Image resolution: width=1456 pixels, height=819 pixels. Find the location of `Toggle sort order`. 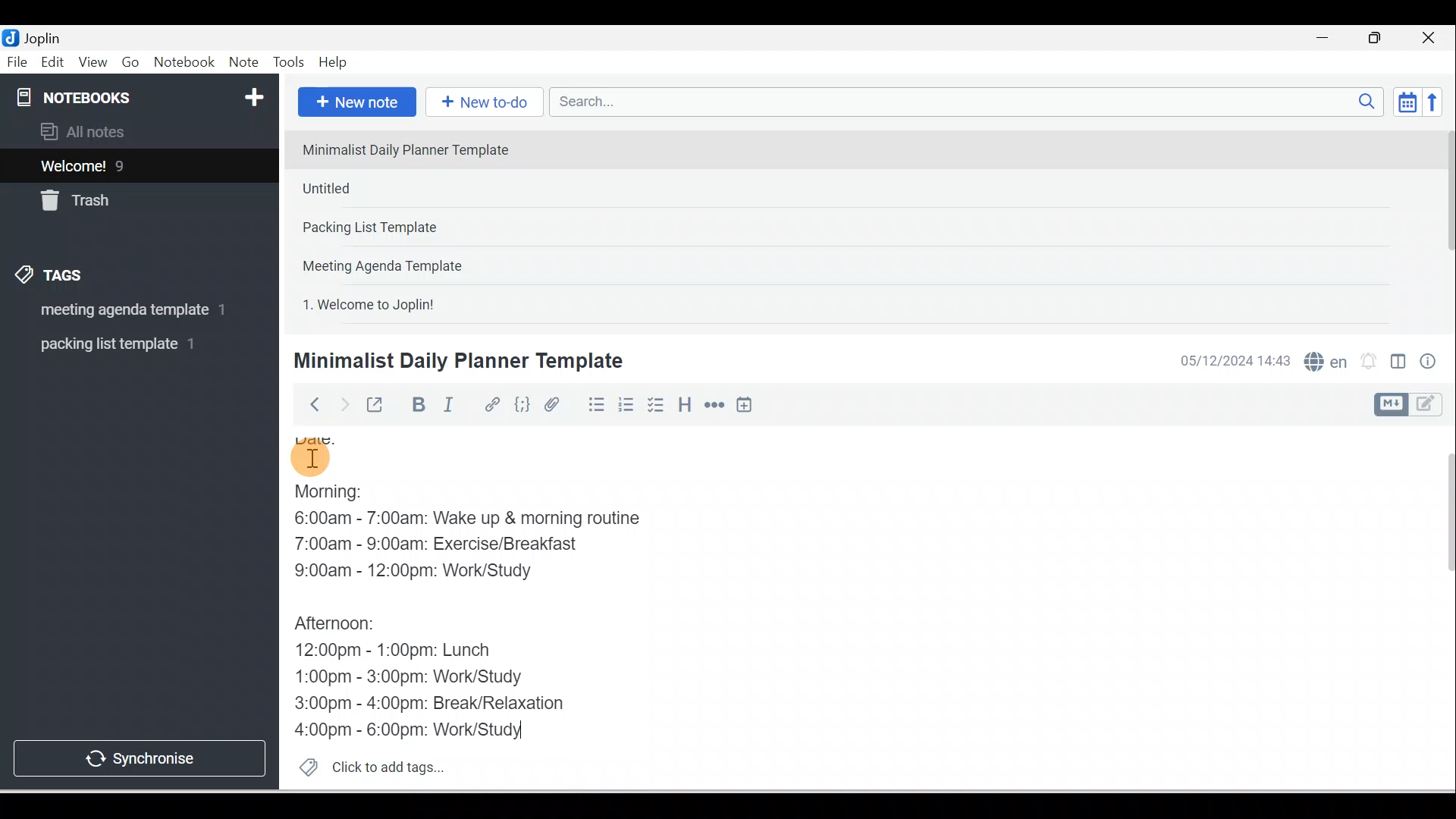

Toggle sort order is located at coordinates (1407, 101).